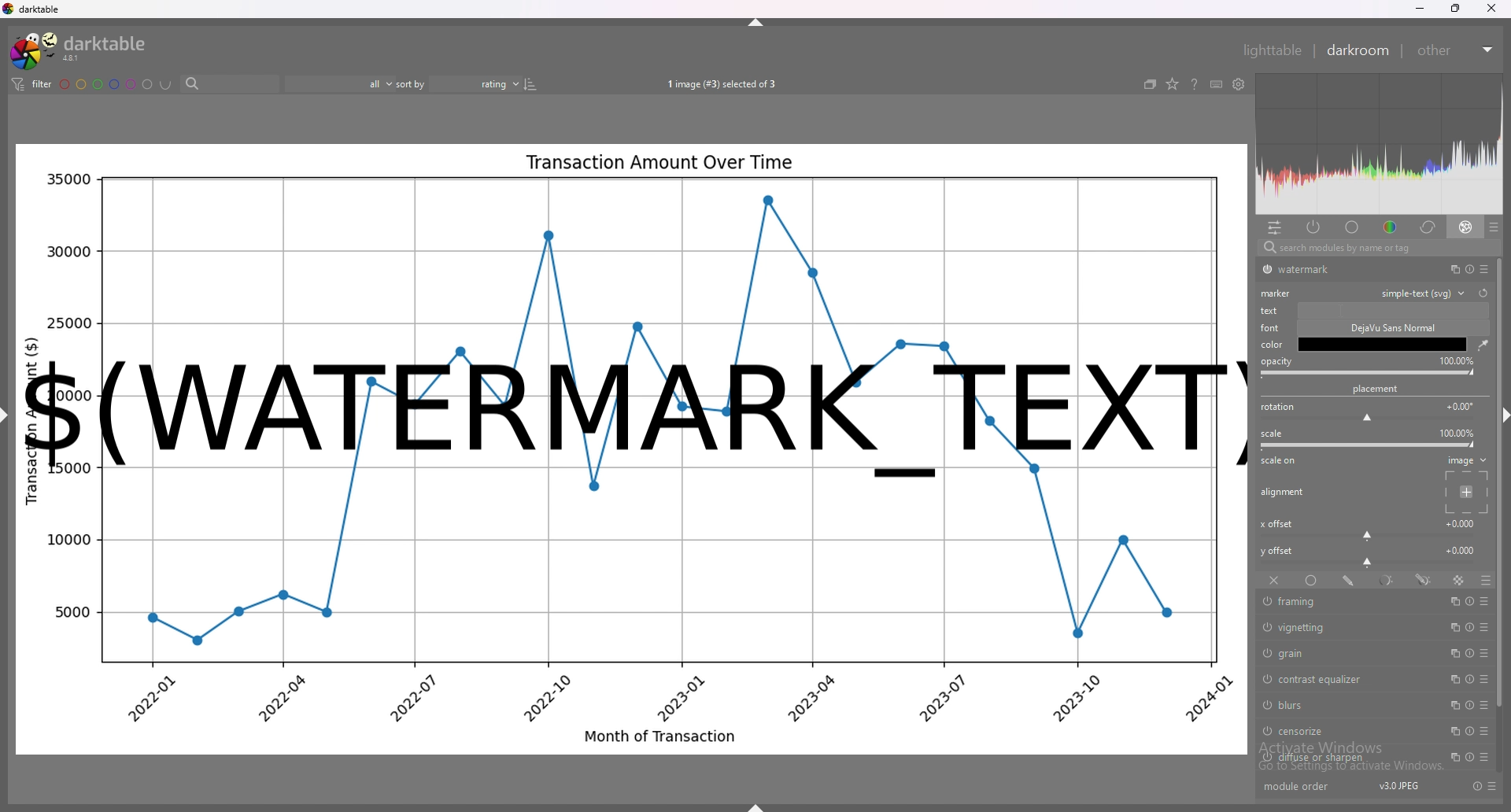 The height and width of the screenshot is (812, 1511). I want to click on diffuse or sharpen, so click(1345, 758).